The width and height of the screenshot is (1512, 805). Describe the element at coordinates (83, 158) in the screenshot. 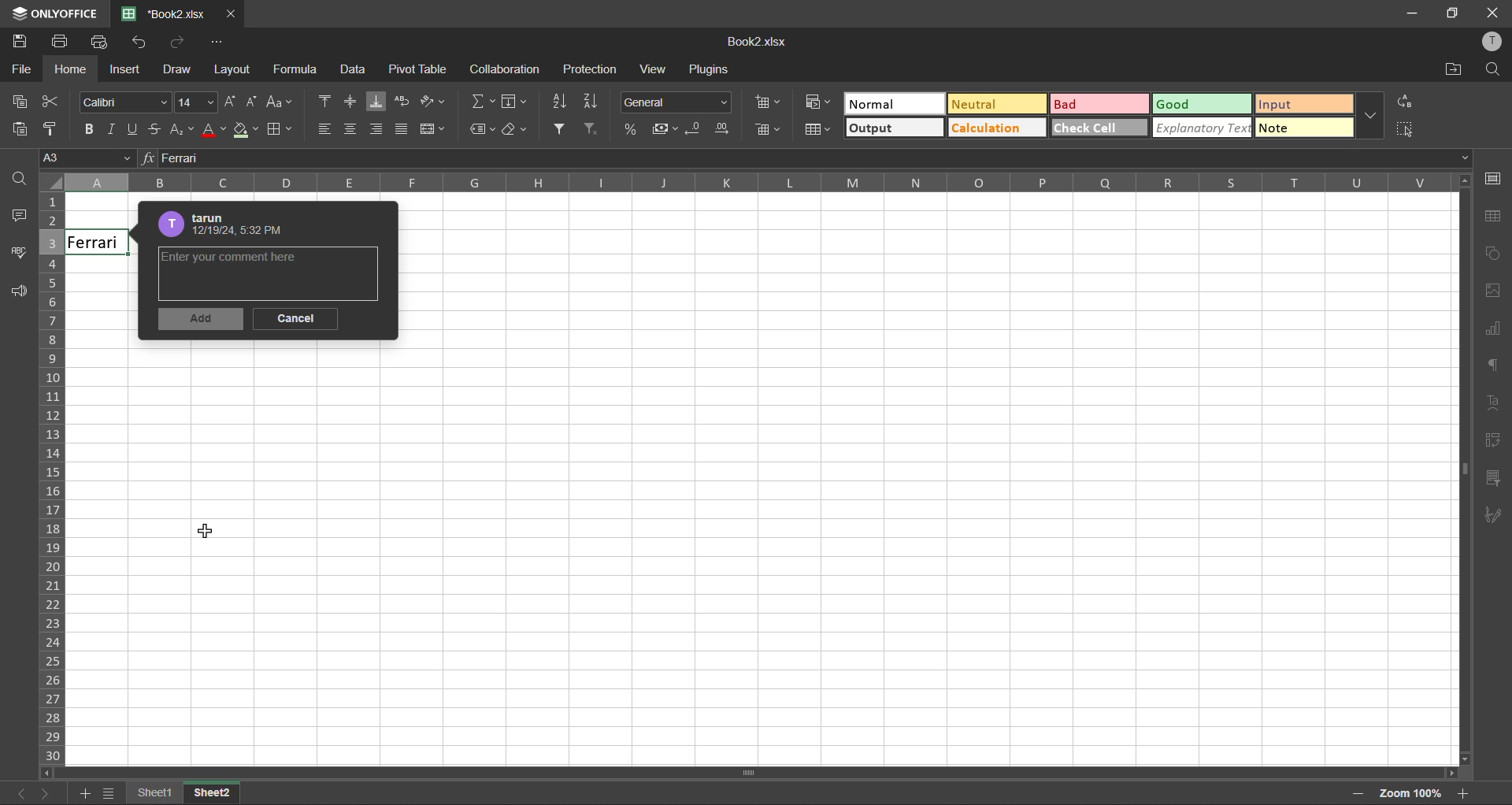

I see `cell address` at that location.